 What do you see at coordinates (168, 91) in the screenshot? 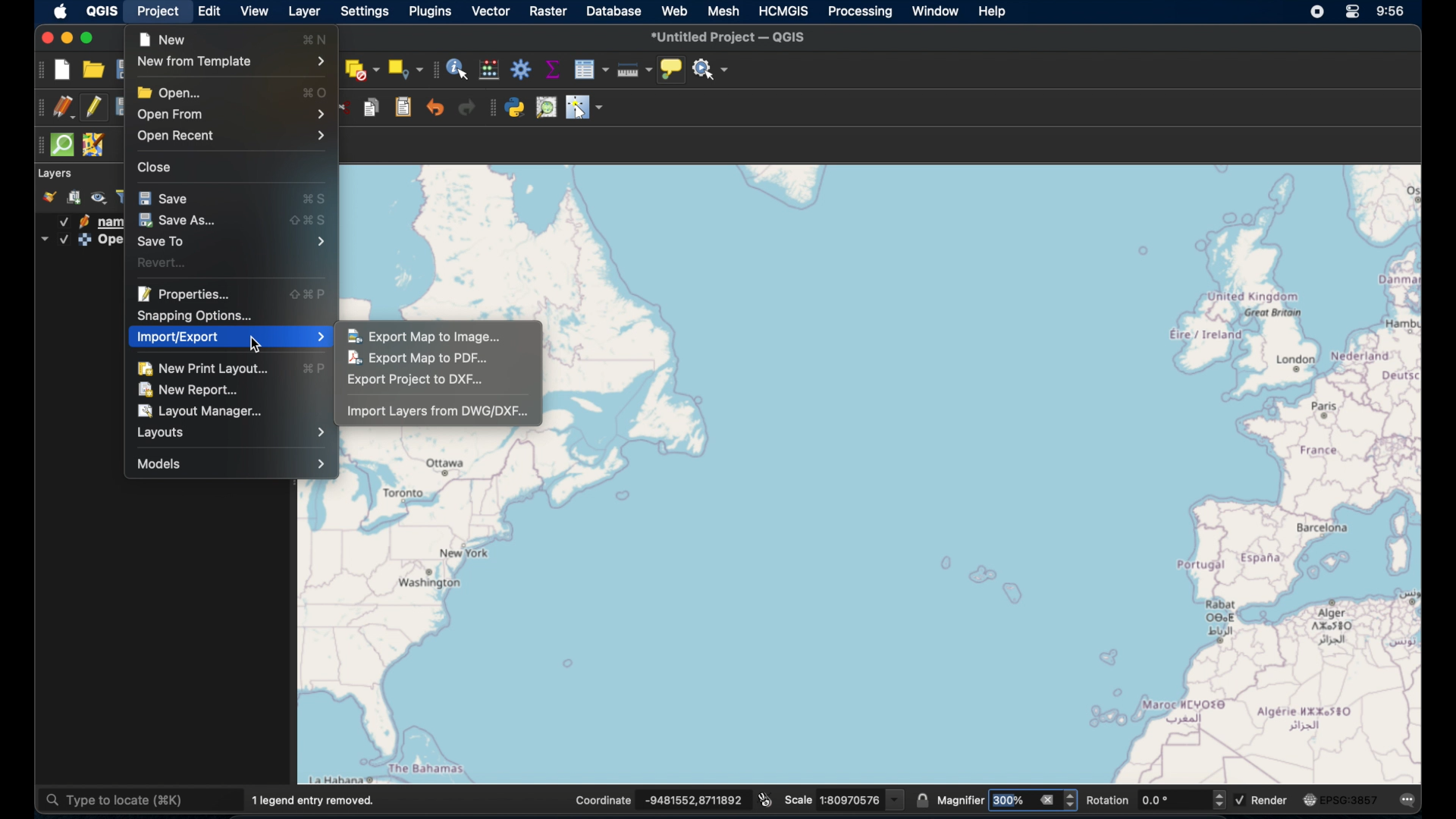
I see `open ` at bounding box center [168, 91].